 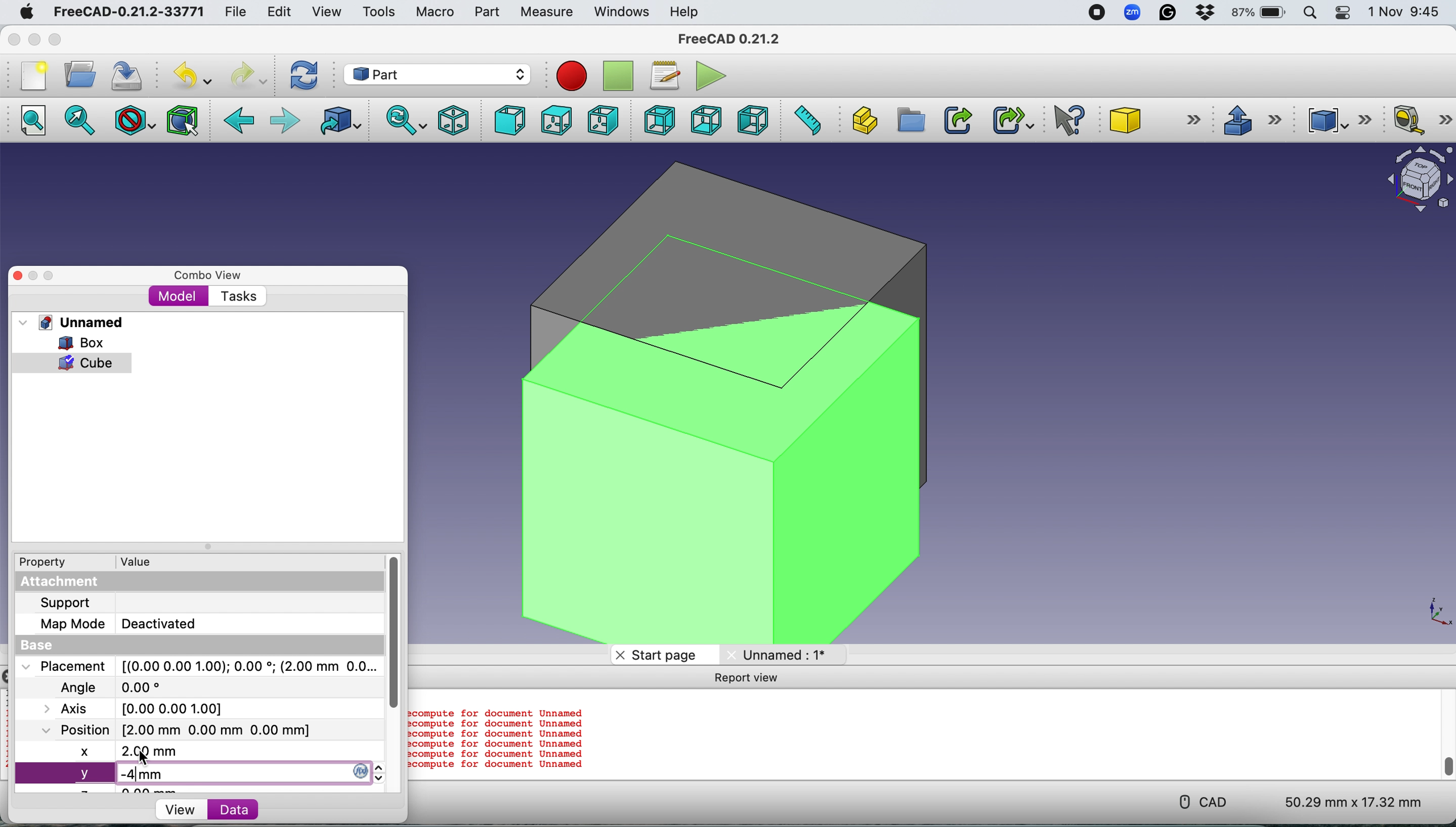 I want to click on vertical scroll bar, so click(x=396, y=632).